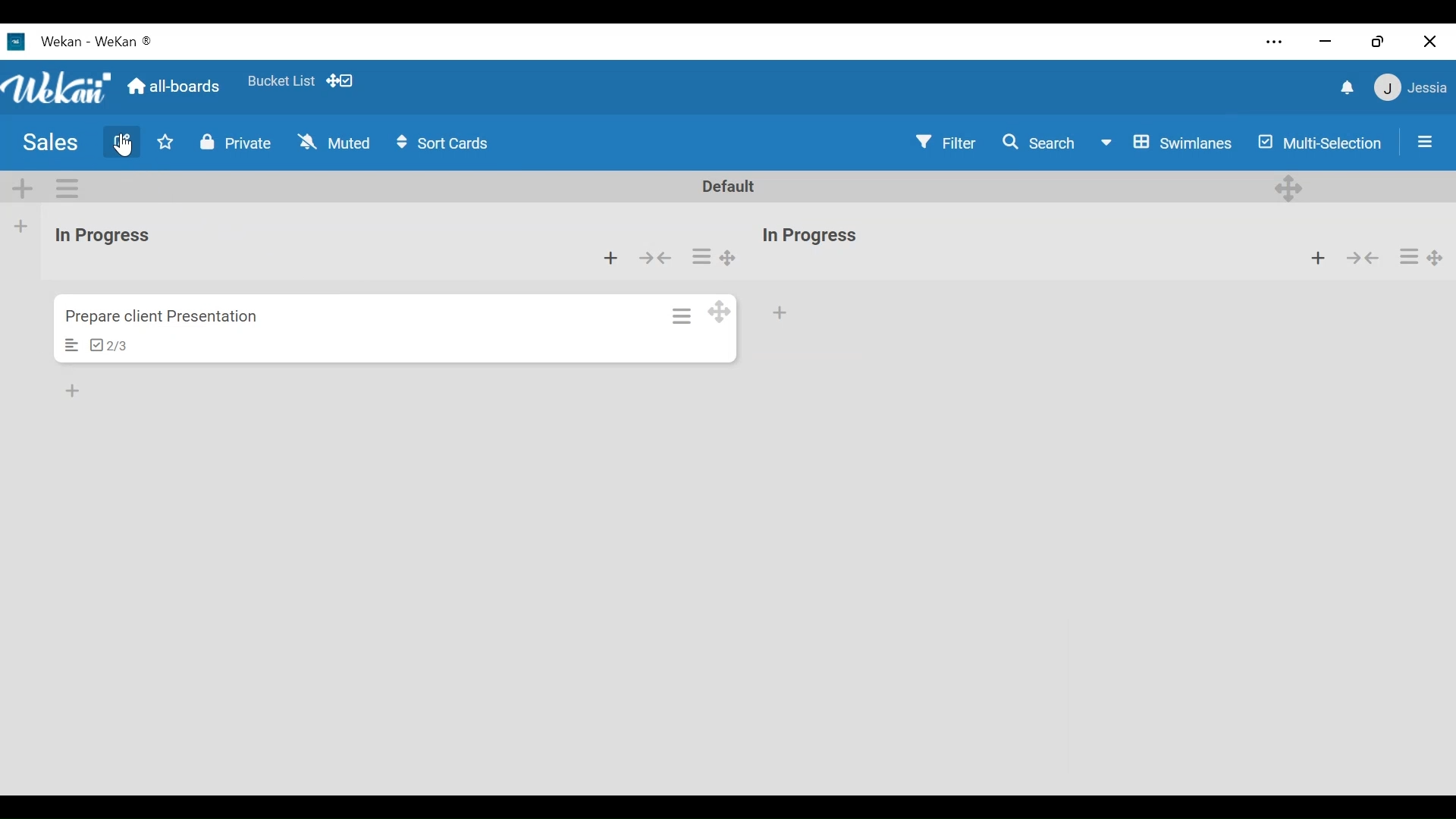 The image size is (1456, 819). Describe the element at coordinates (1316, 256) in the screenshot. I see `Add card to the top of the list` at that location.